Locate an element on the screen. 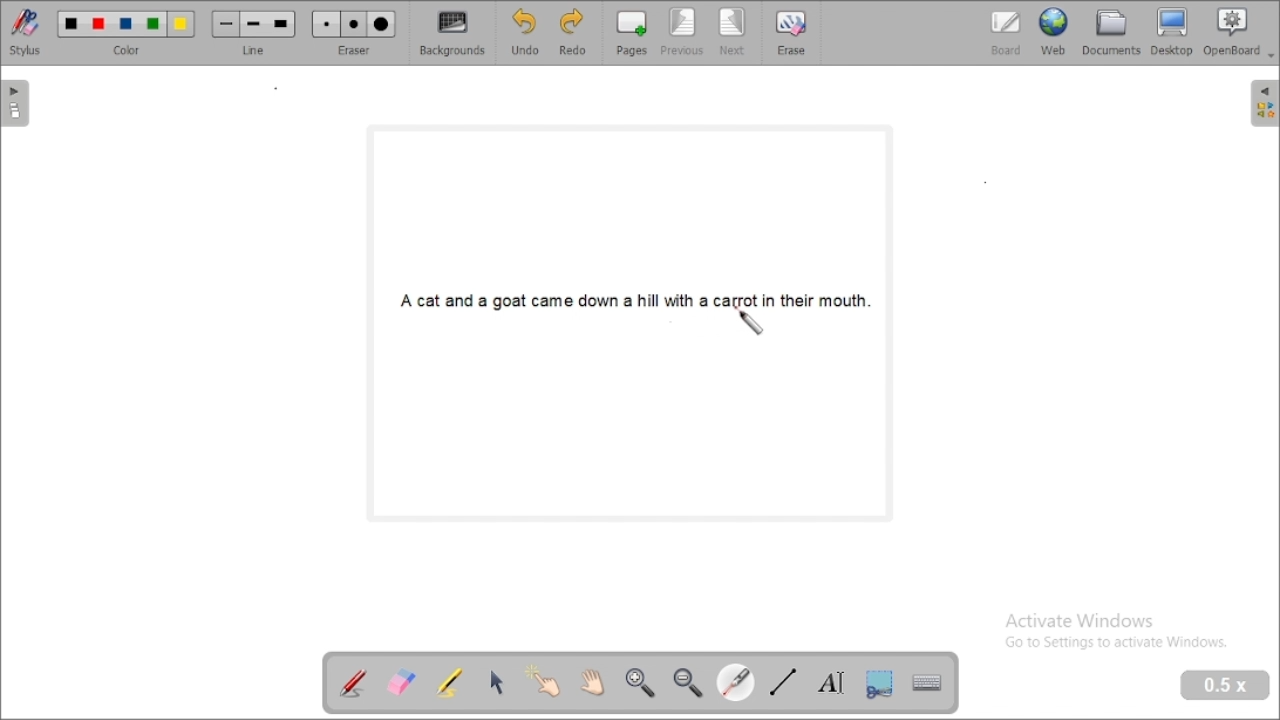  previous is located at coordinates (682, 33).